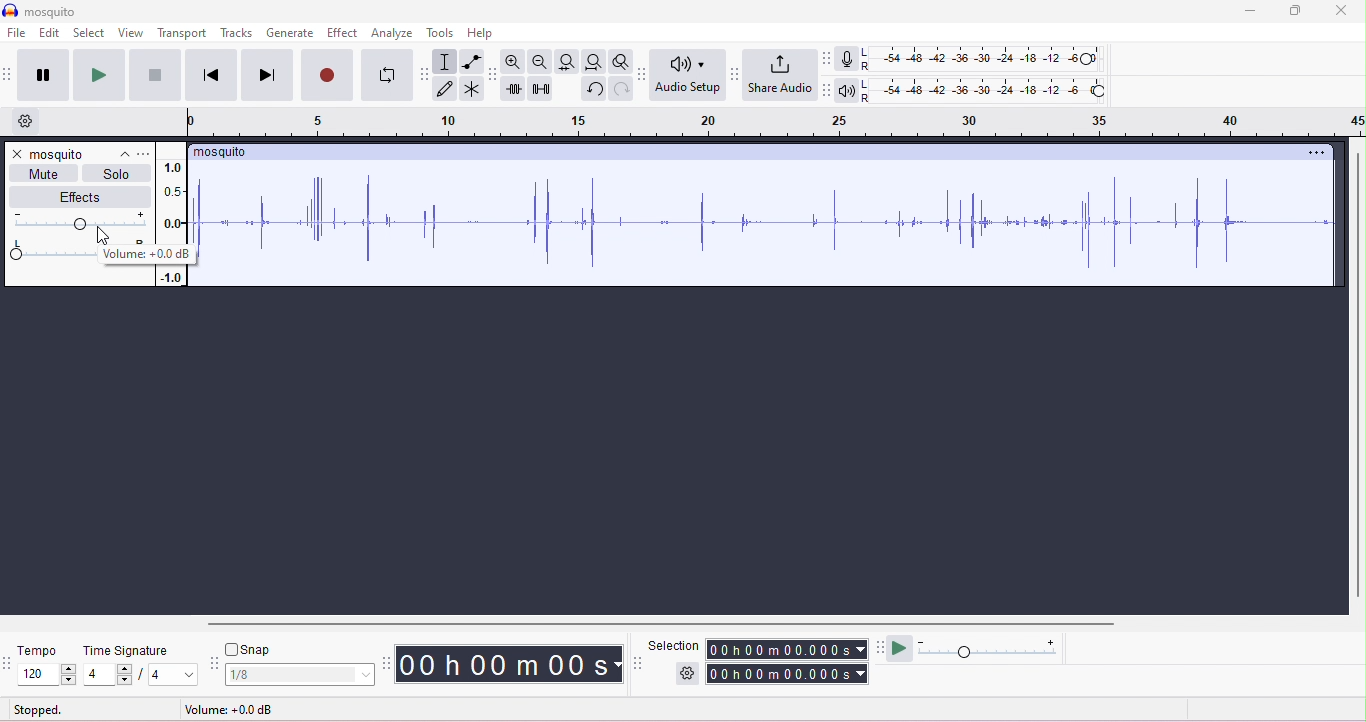 This screenshot has height=722, width=1366. What do you see at coordinates (388, 662) in the screenshot?
I see `time tool` at bounding box center [388, 662].